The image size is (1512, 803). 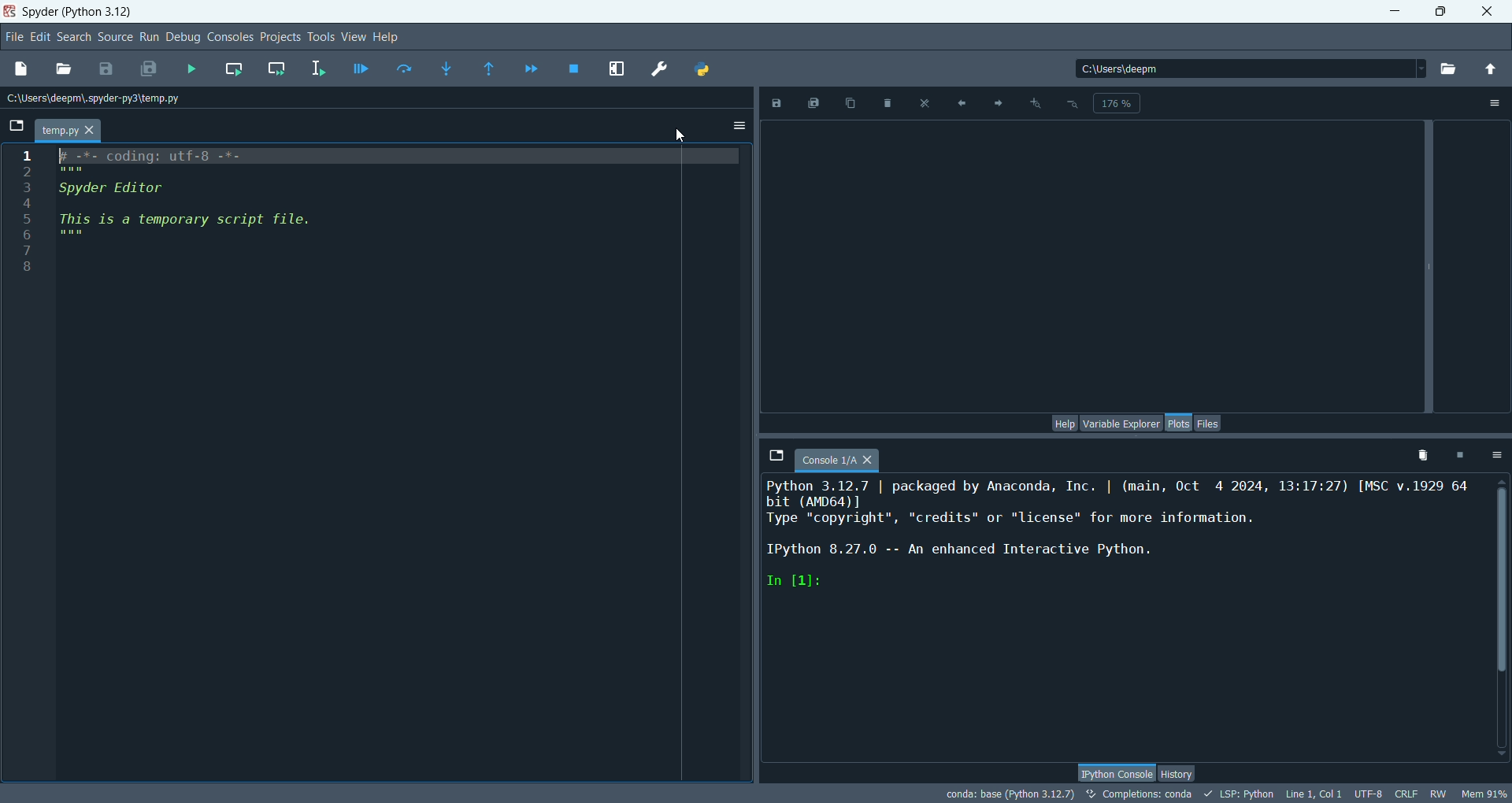 What do you see at coordinates (776, 455) in the screenshot?
I see `browse tabs` at bounding box center [776, 455].